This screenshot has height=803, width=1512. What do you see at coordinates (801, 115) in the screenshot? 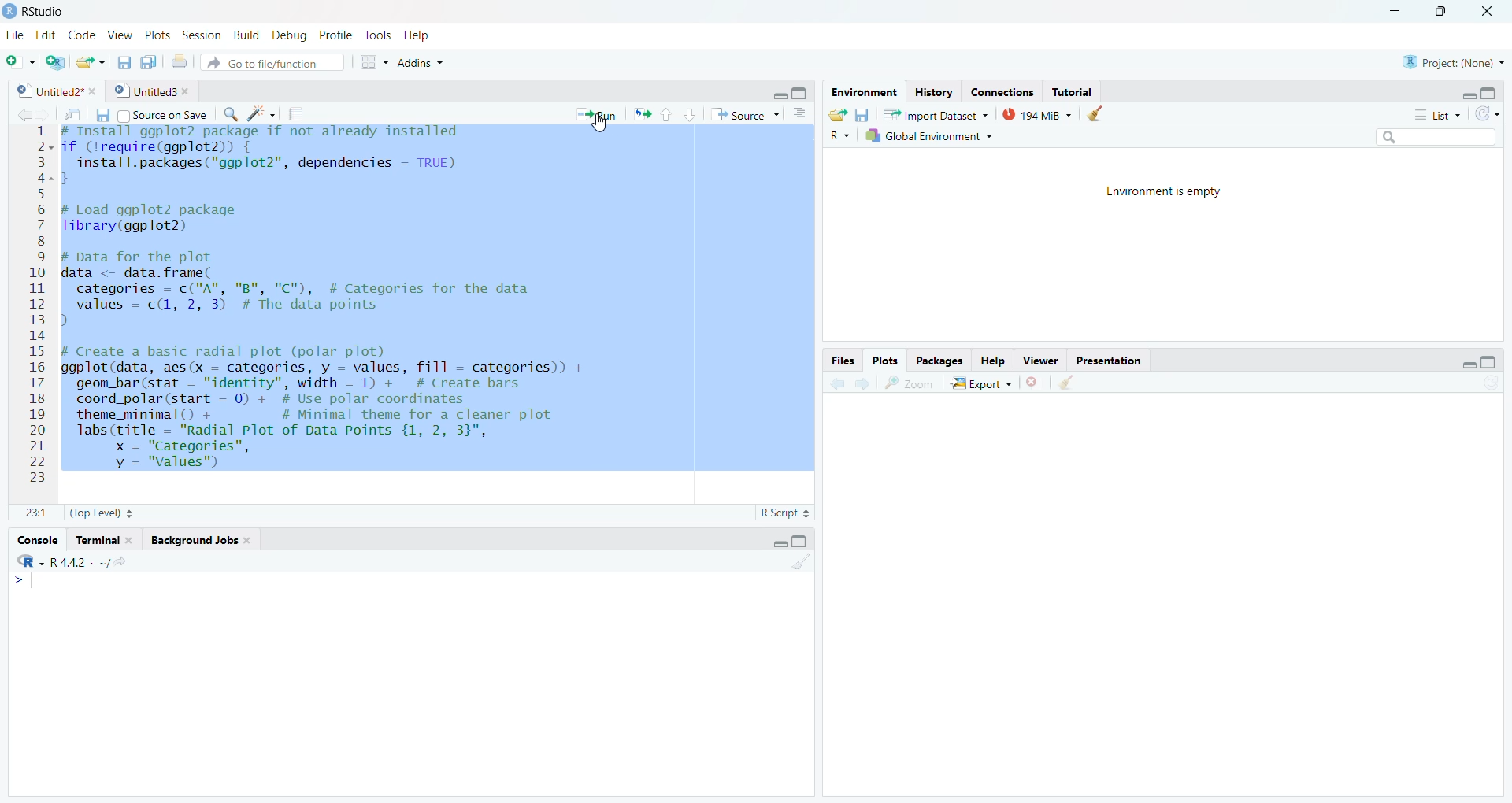
I see `document outline` at bounding box center [801, 115].